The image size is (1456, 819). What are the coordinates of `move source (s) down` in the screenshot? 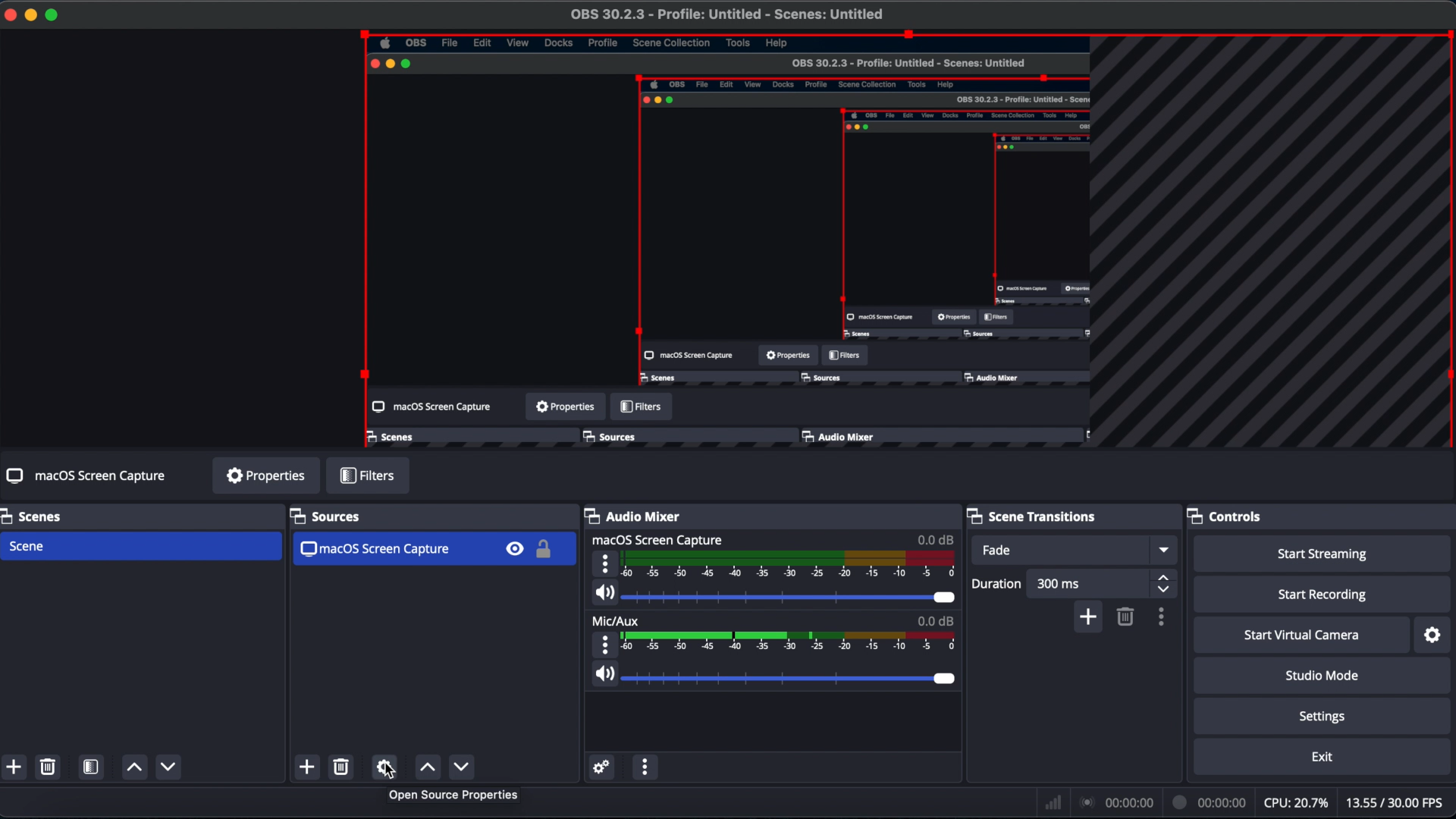 It's located at (428, 767).